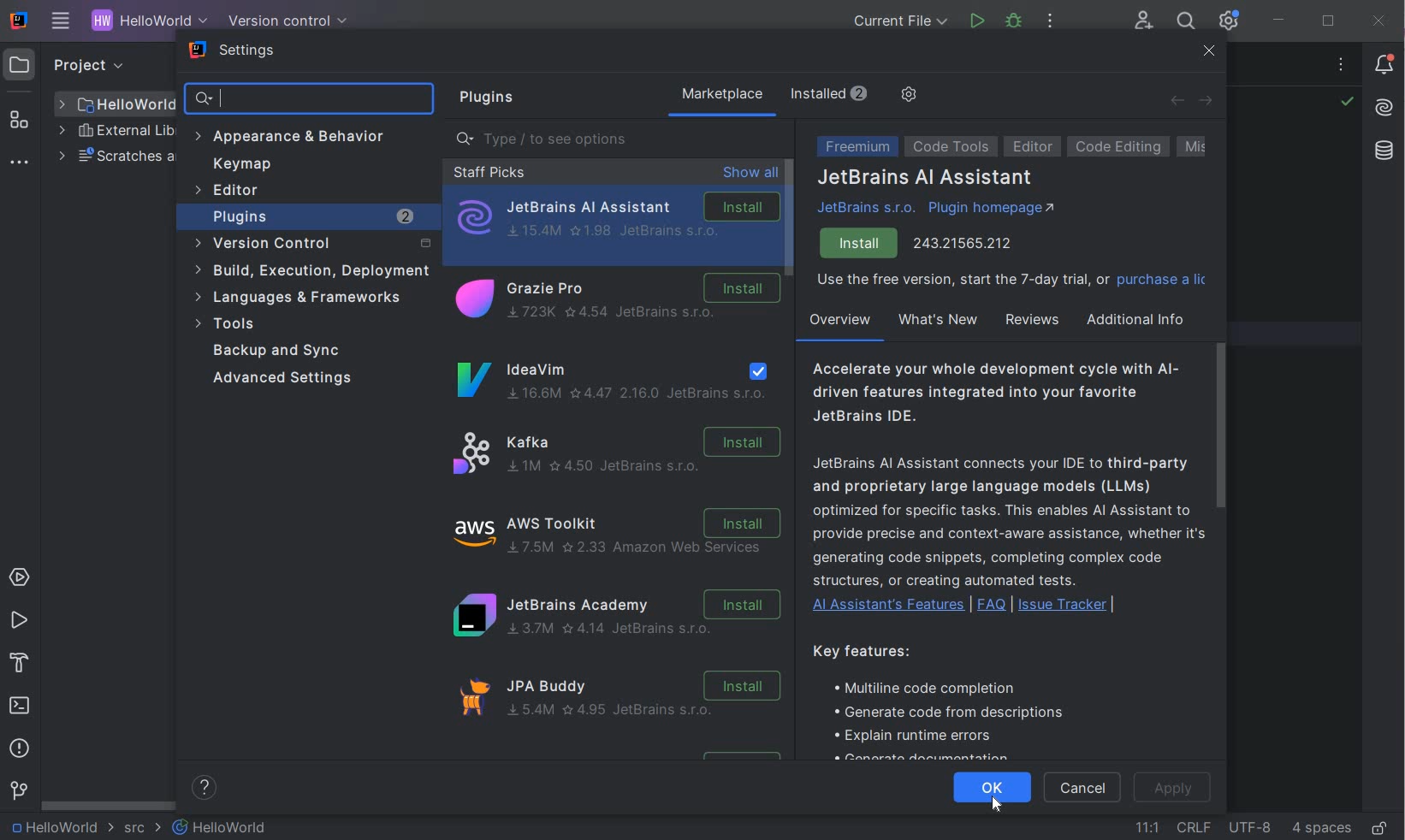 The height and width of the screenshot is (840, 1405). What do you see at coordinates (937, 320) in the screenshot?
I see `what's new` at bounding box center [937, 320].